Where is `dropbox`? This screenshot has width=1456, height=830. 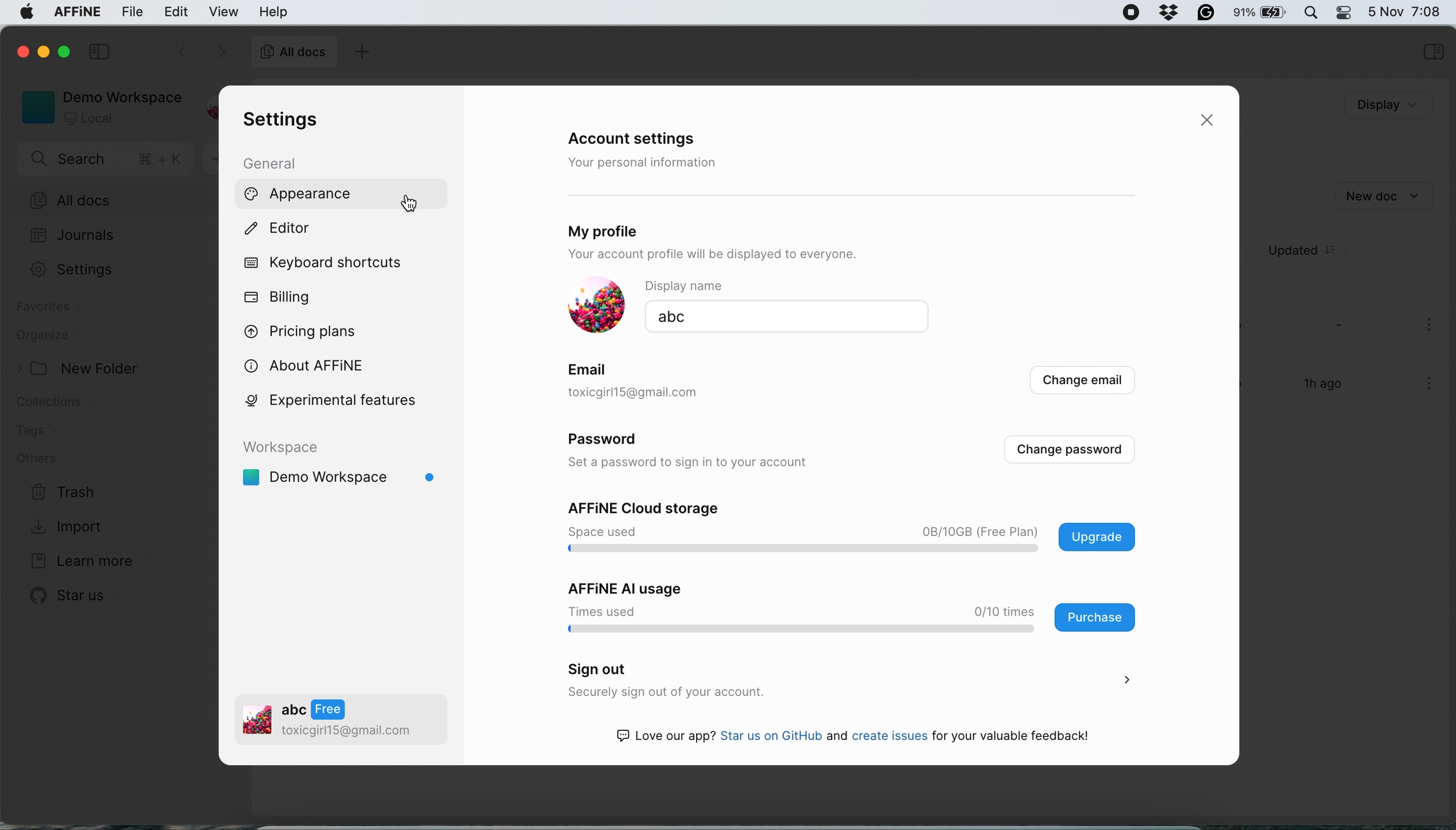
dropbox is located at coordinates (1170, 14).